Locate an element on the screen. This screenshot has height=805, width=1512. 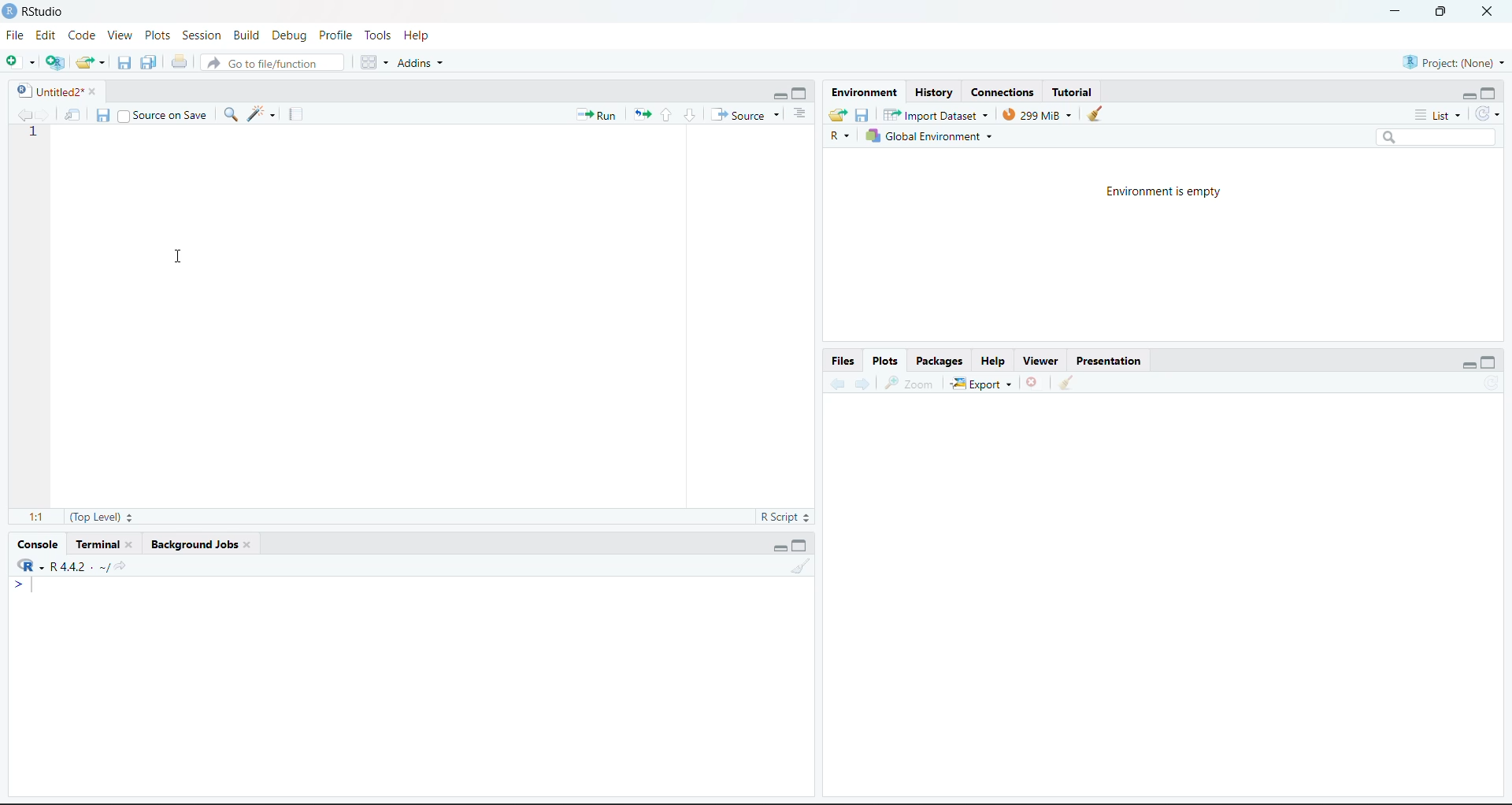
New file is located at coordinates (20, 63).